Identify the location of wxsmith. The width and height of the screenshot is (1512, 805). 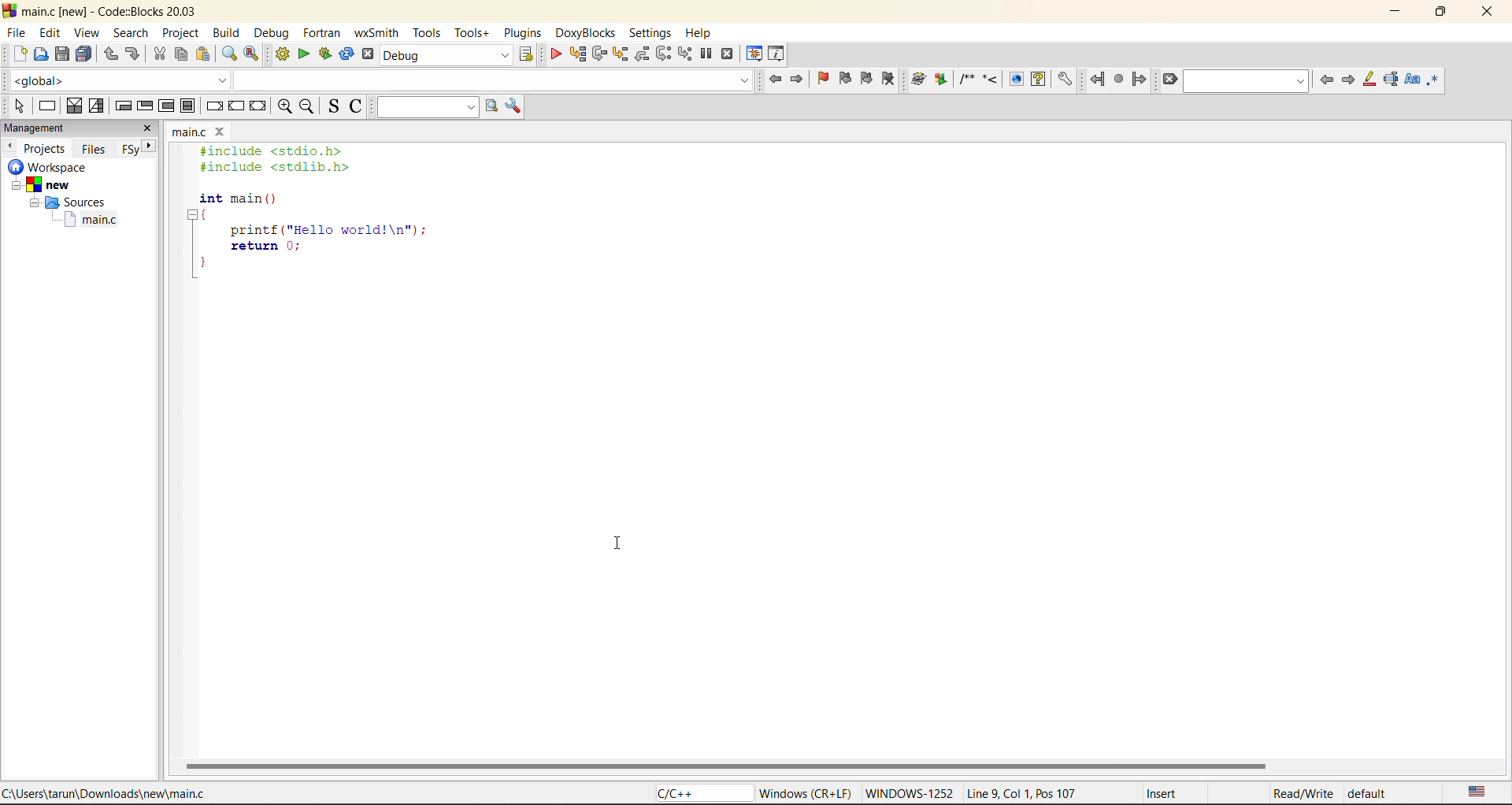
(379, 32).